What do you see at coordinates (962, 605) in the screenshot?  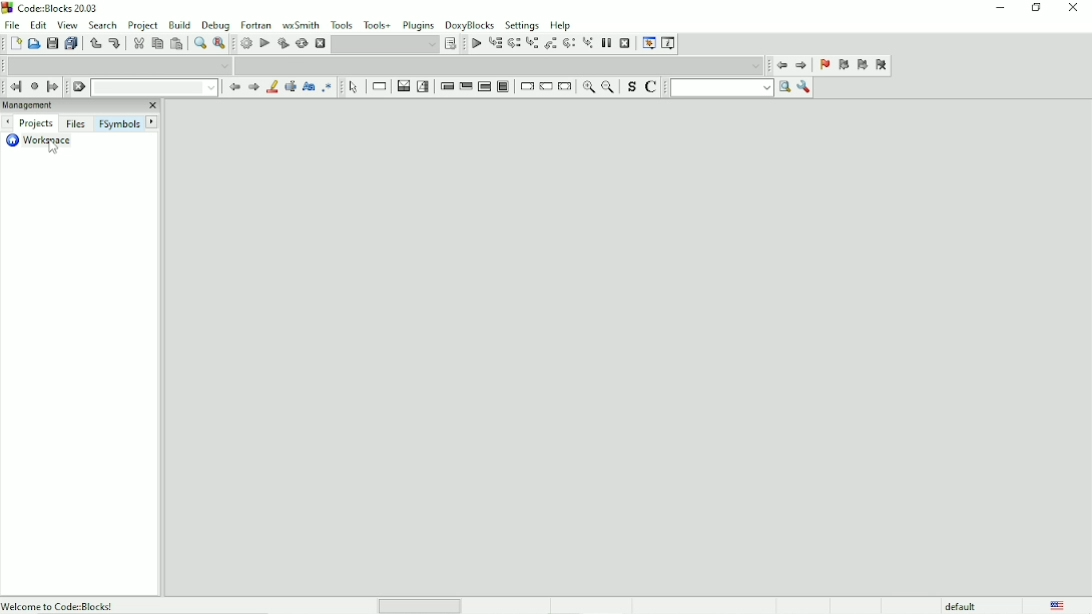 I see `default` at bounding box center [962, 605].